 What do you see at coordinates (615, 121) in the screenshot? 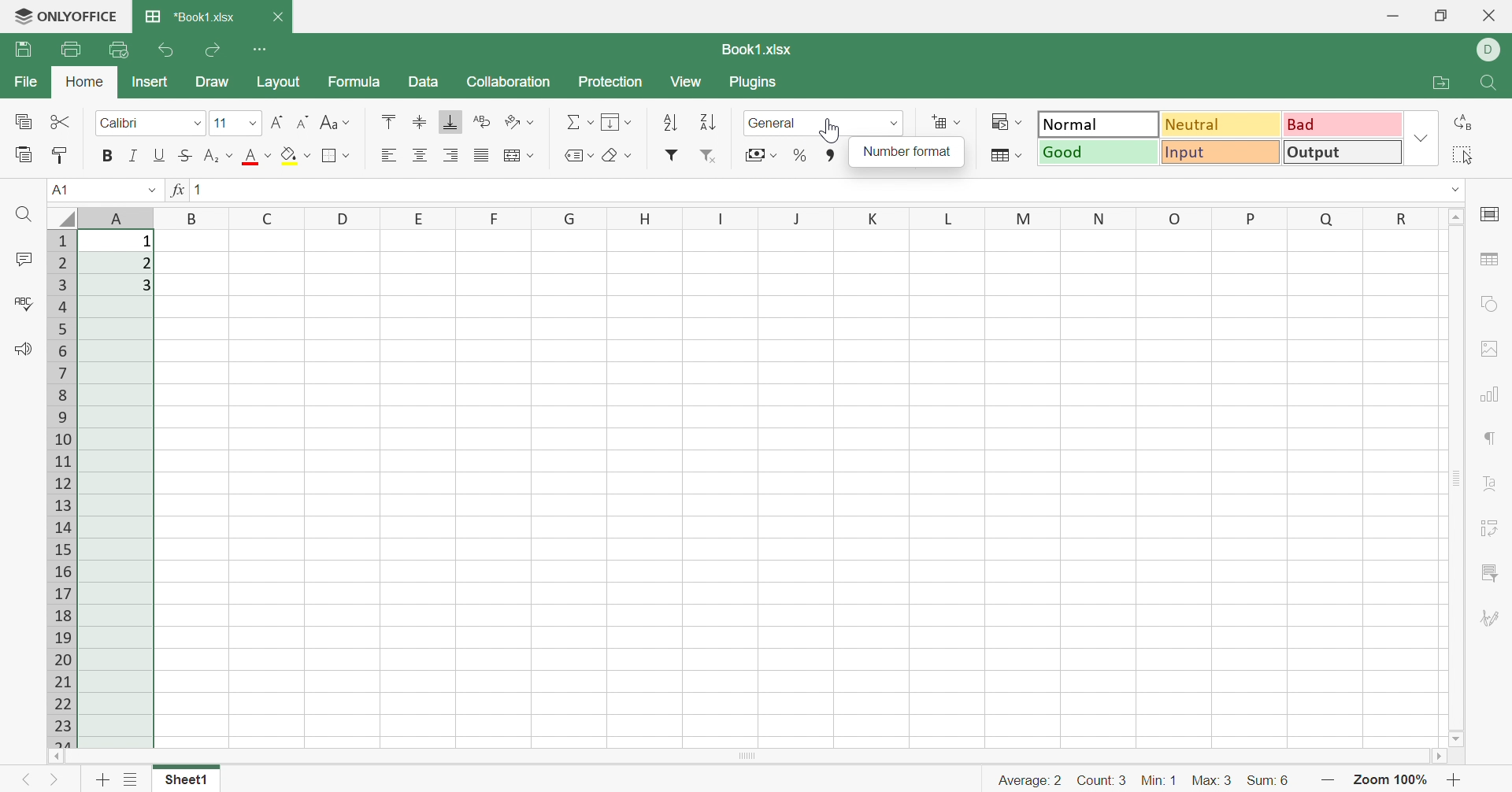
I see `Fill` at bounding box center [615, 121].